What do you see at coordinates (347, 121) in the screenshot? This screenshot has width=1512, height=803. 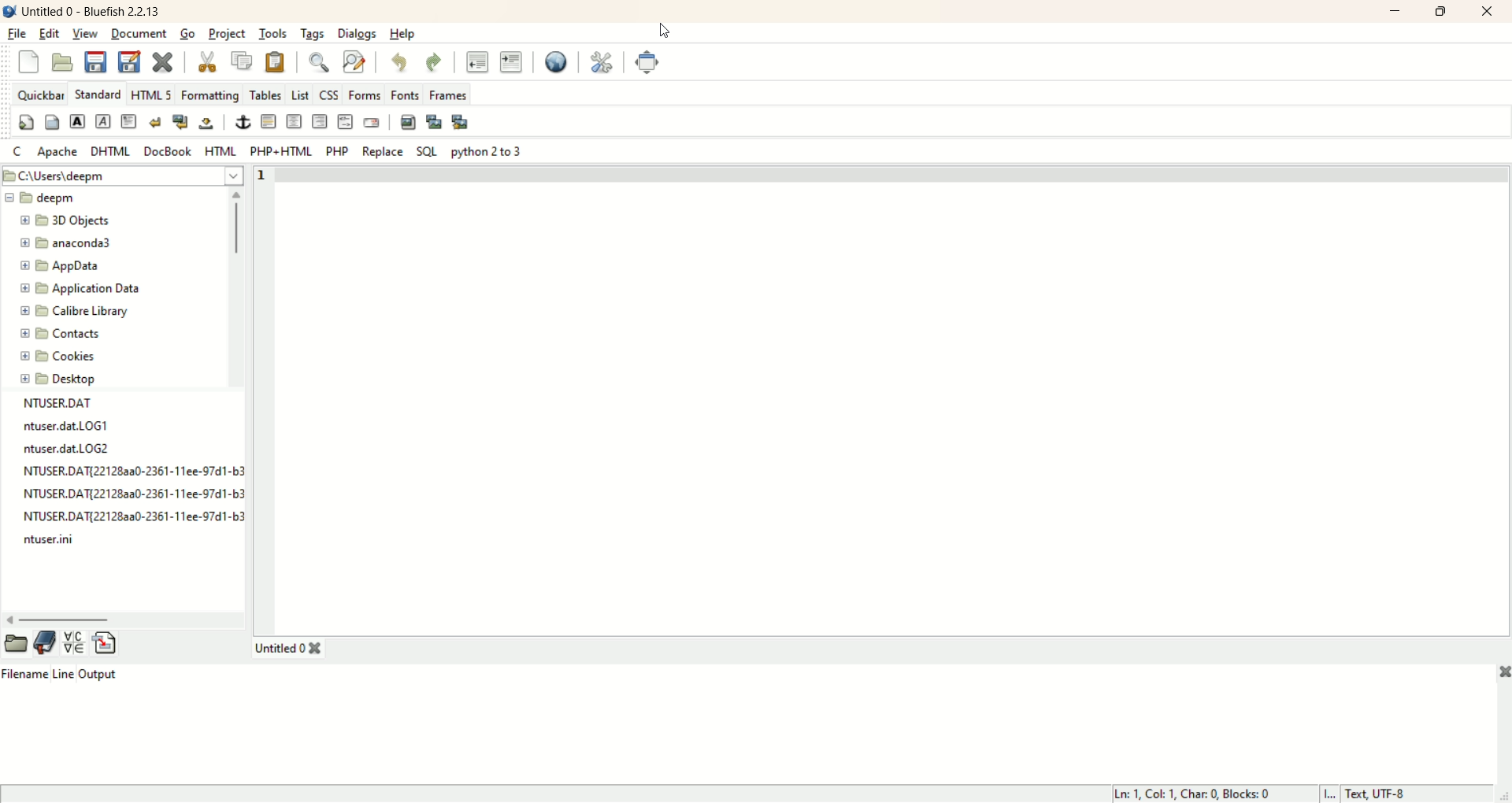 I see `HTML comment` at bounding box center [347, 121].